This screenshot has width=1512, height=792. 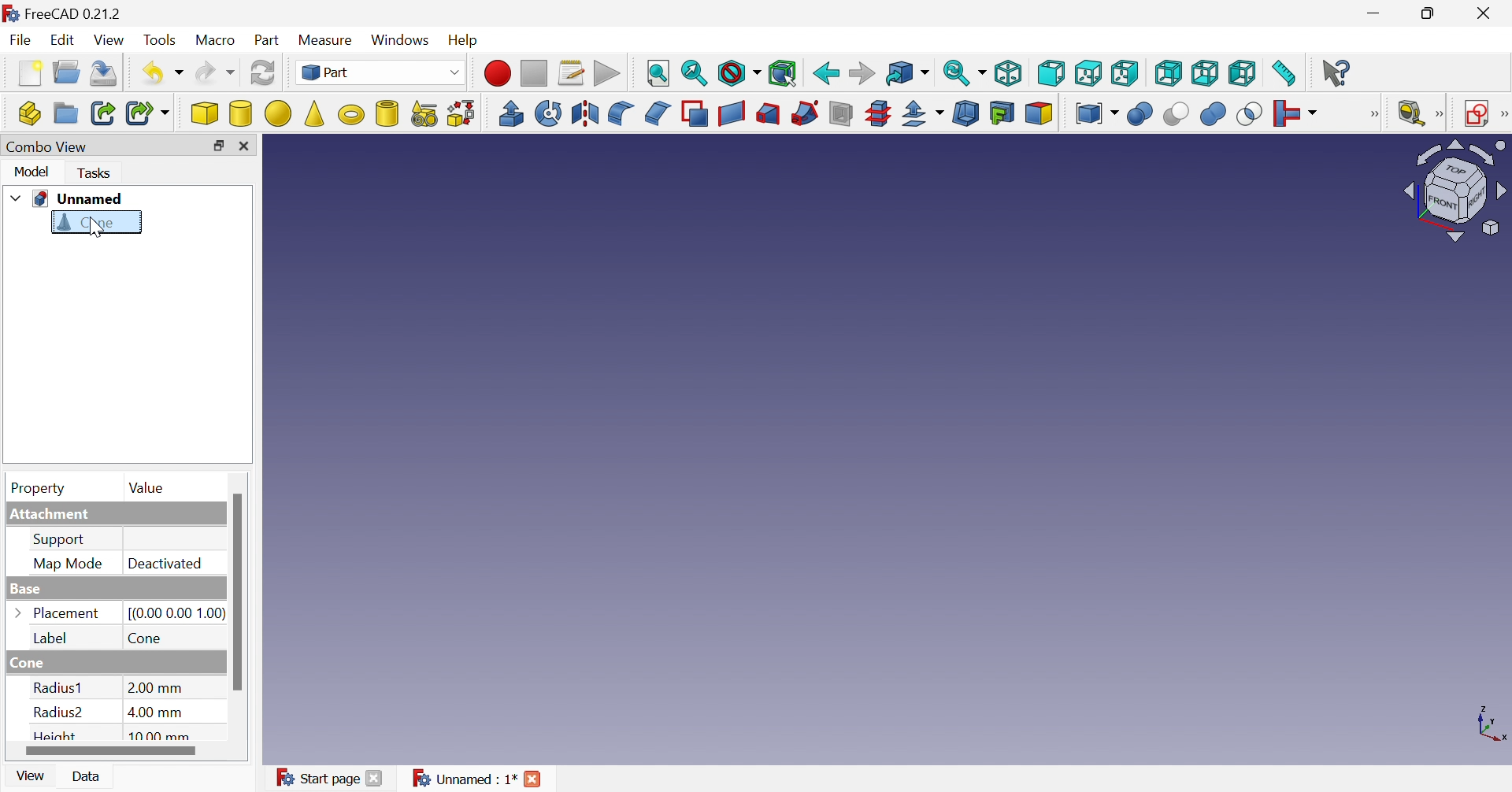 I want to click on Join objects, so click(x=1299, y=112).